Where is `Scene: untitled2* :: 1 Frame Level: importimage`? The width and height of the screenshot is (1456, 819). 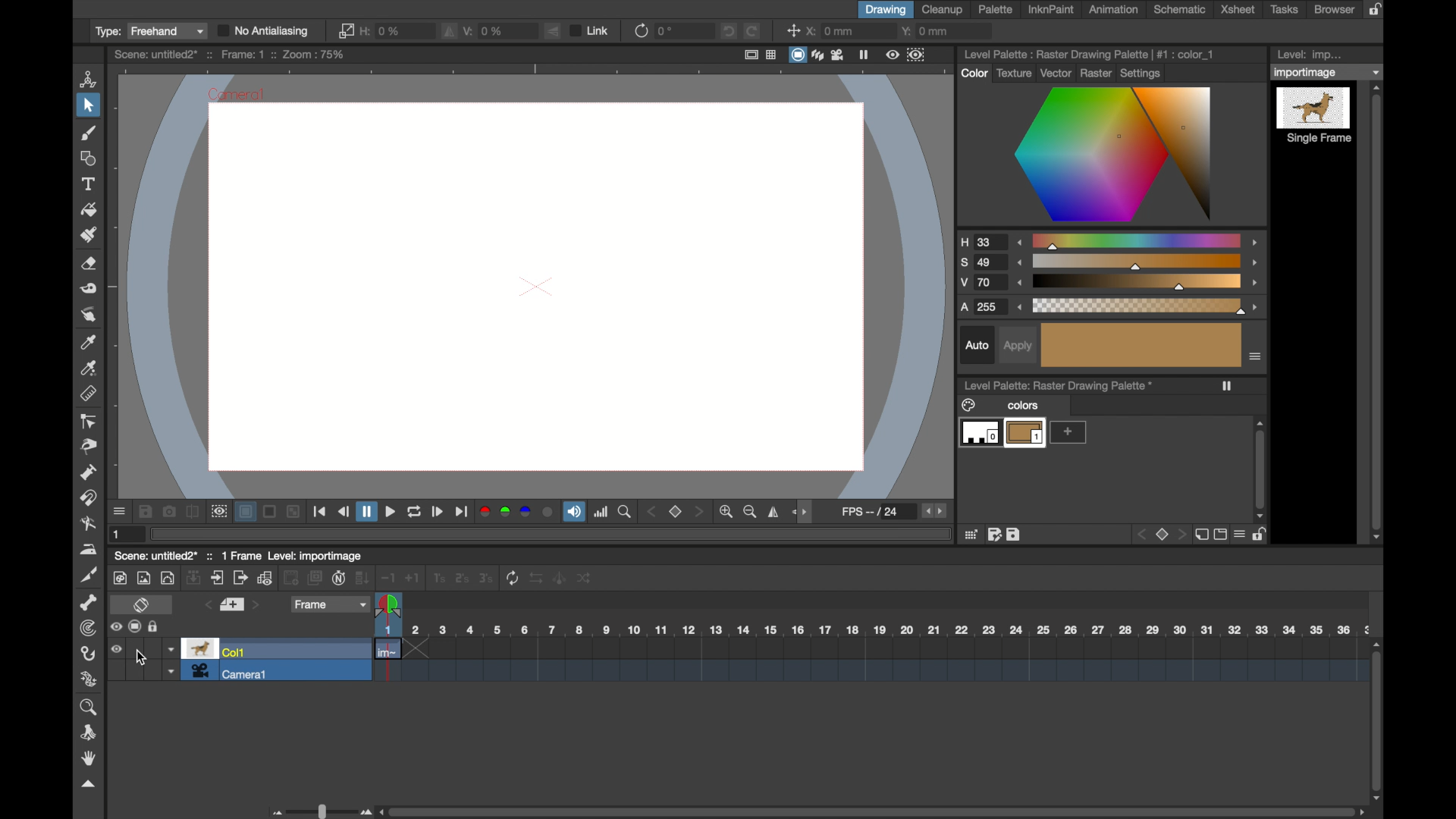
Scene: untitled2* :: 1 Frame Level: importimage is located at coordinates (238, 555).